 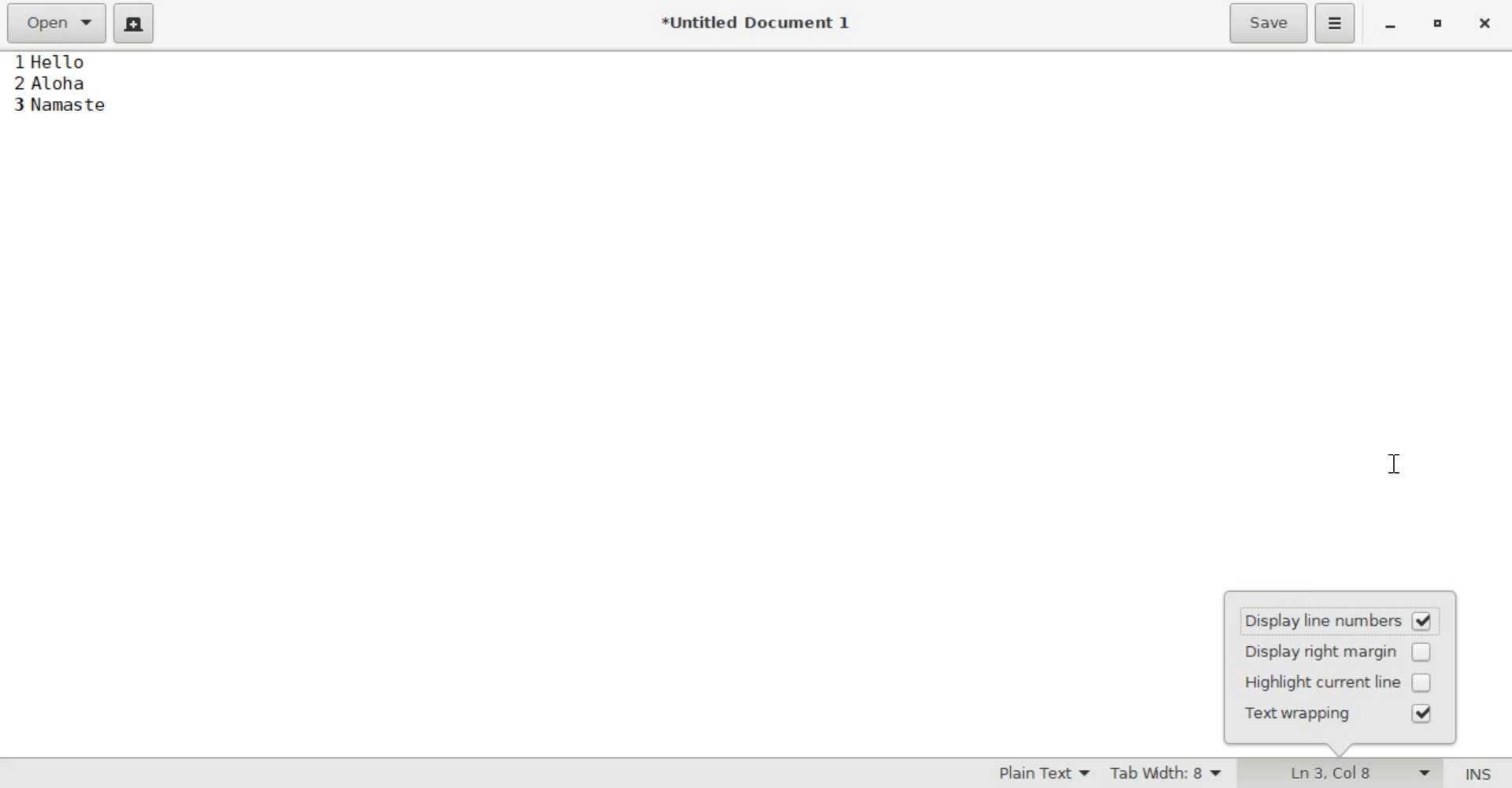 What do you see at coordinates (109, 101) in the screenshot?
I see `Text` at bounding box center [109, 101].